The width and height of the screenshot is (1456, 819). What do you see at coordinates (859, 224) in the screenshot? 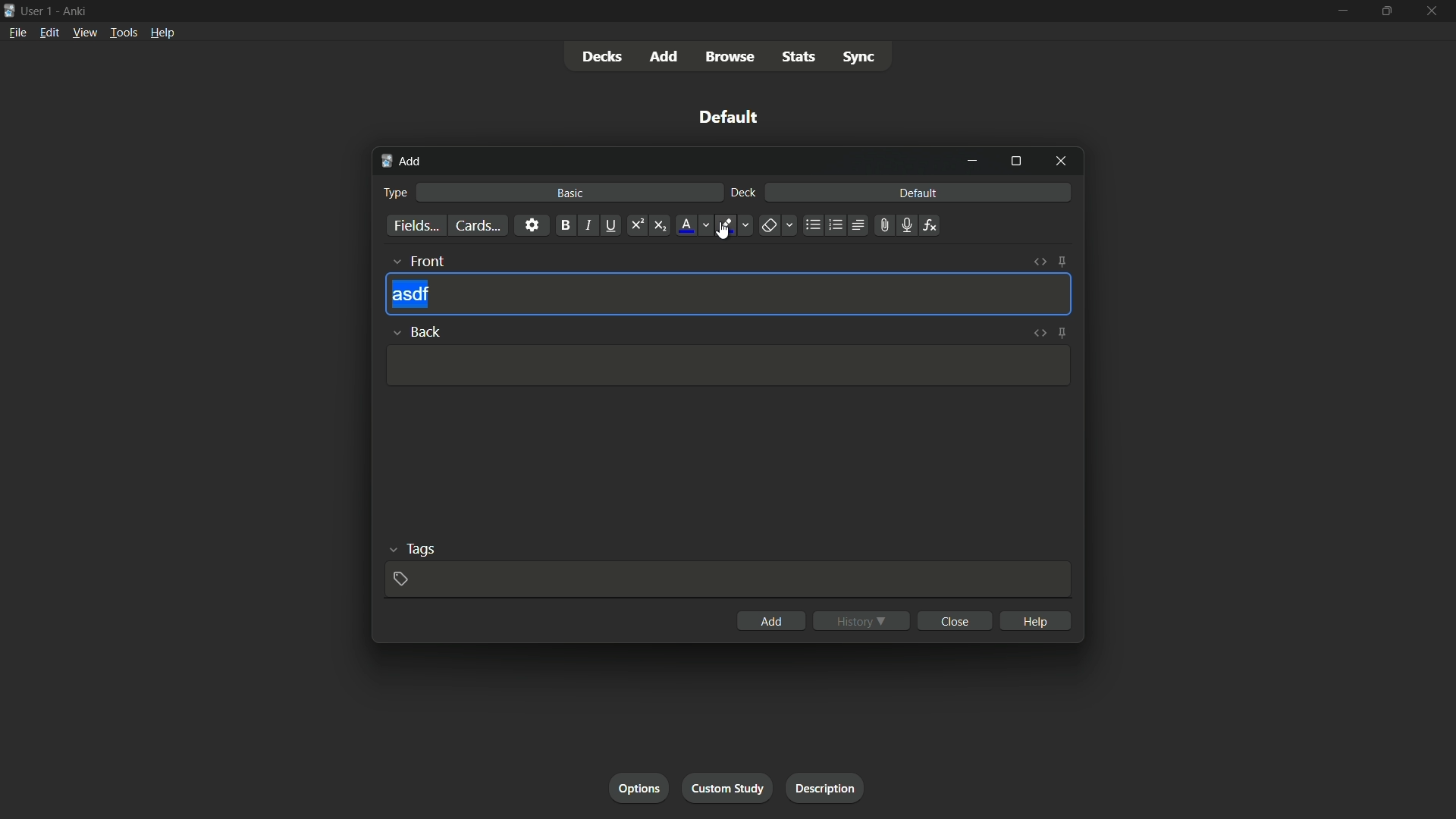
I see `alignment` at bounding box center [859, 224].